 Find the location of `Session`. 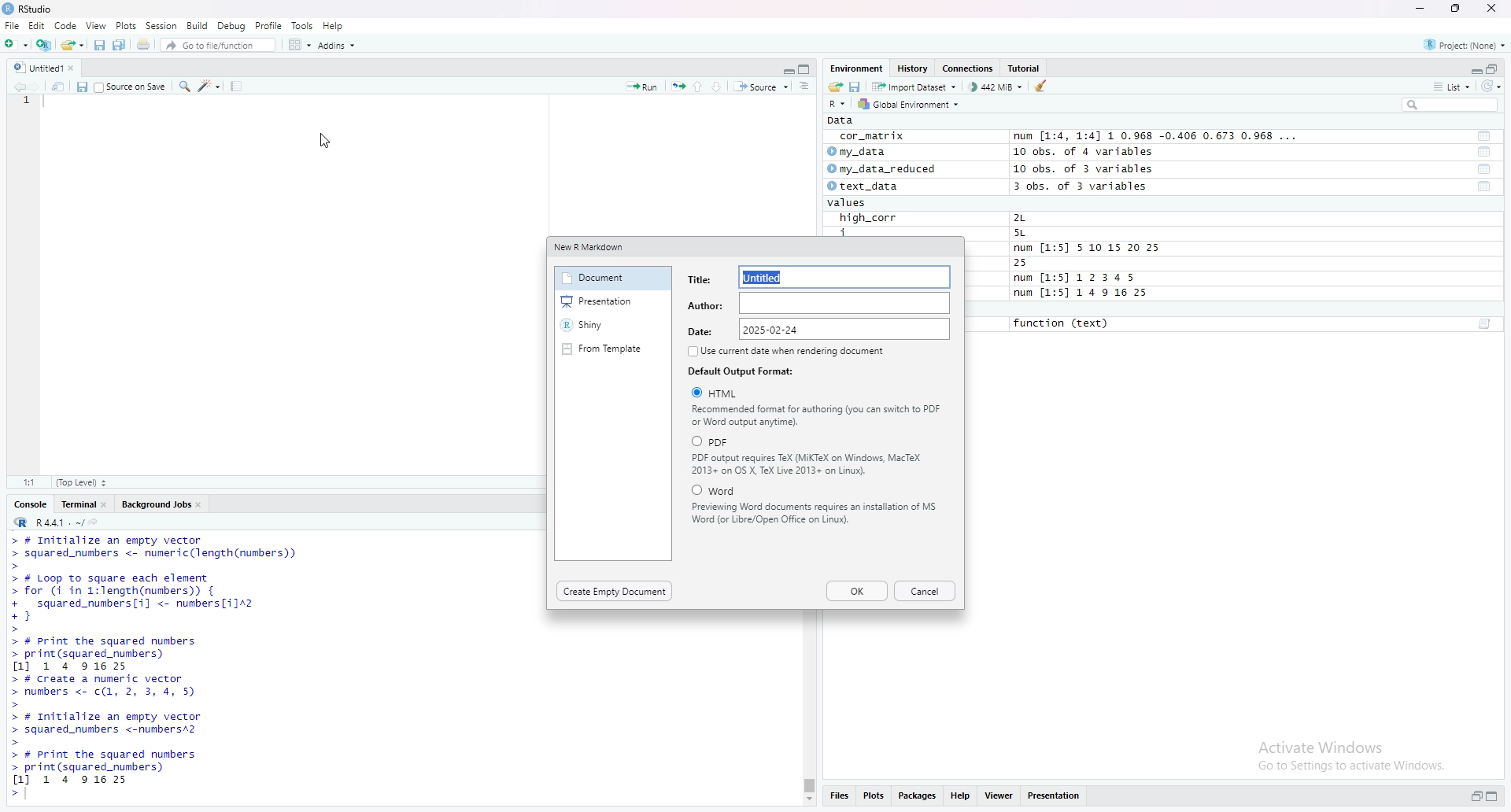

Session is located at coordinates (160, 27).